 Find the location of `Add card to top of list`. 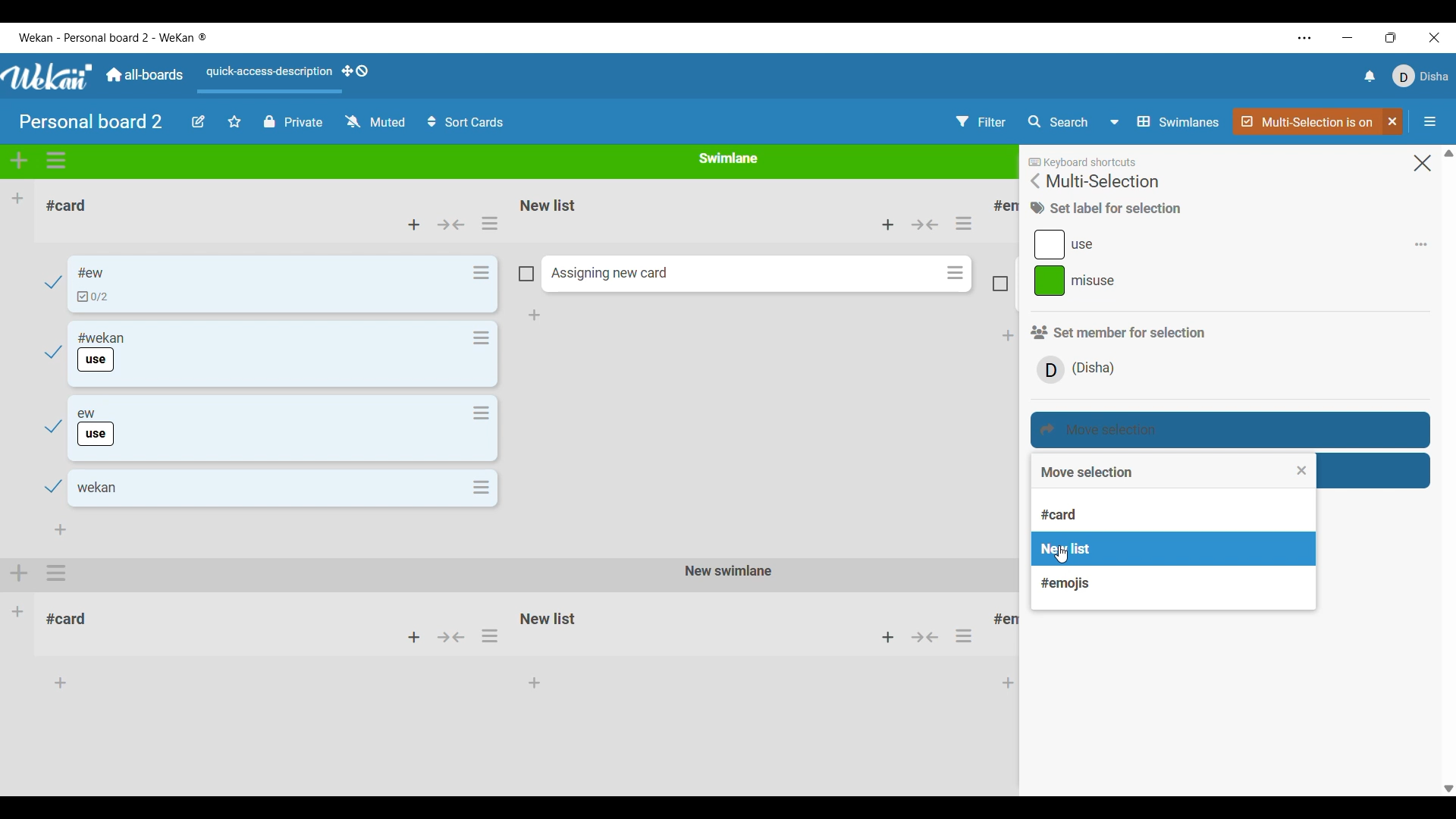

Add card to top of list is located at coordinates (414, 224).